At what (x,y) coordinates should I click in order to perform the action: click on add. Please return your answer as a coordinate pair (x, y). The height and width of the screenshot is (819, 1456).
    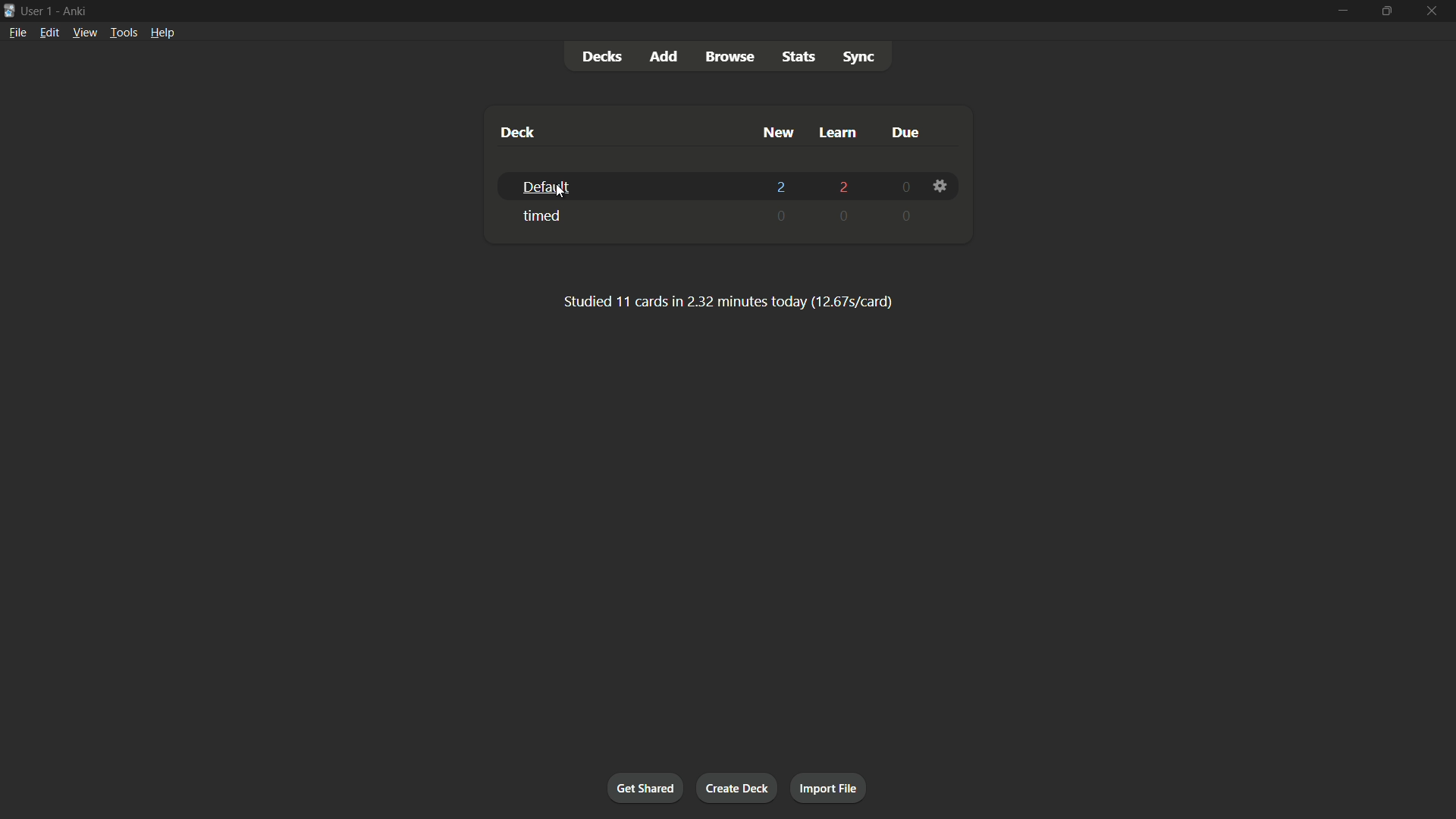
    Looking at the image, I should click on (667, 57).